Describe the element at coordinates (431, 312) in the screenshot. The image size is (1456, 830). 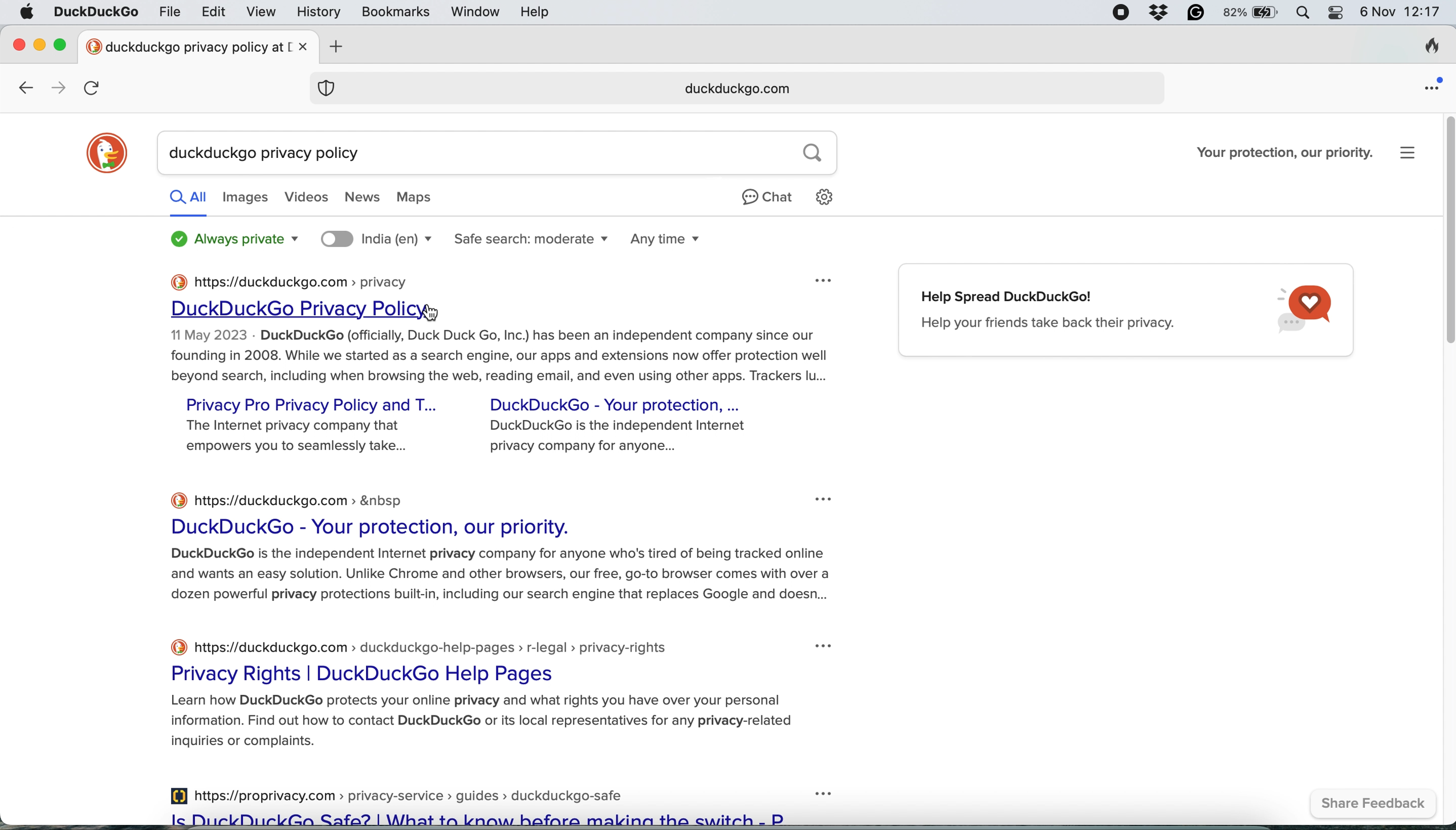
I see `cursor` at that location.